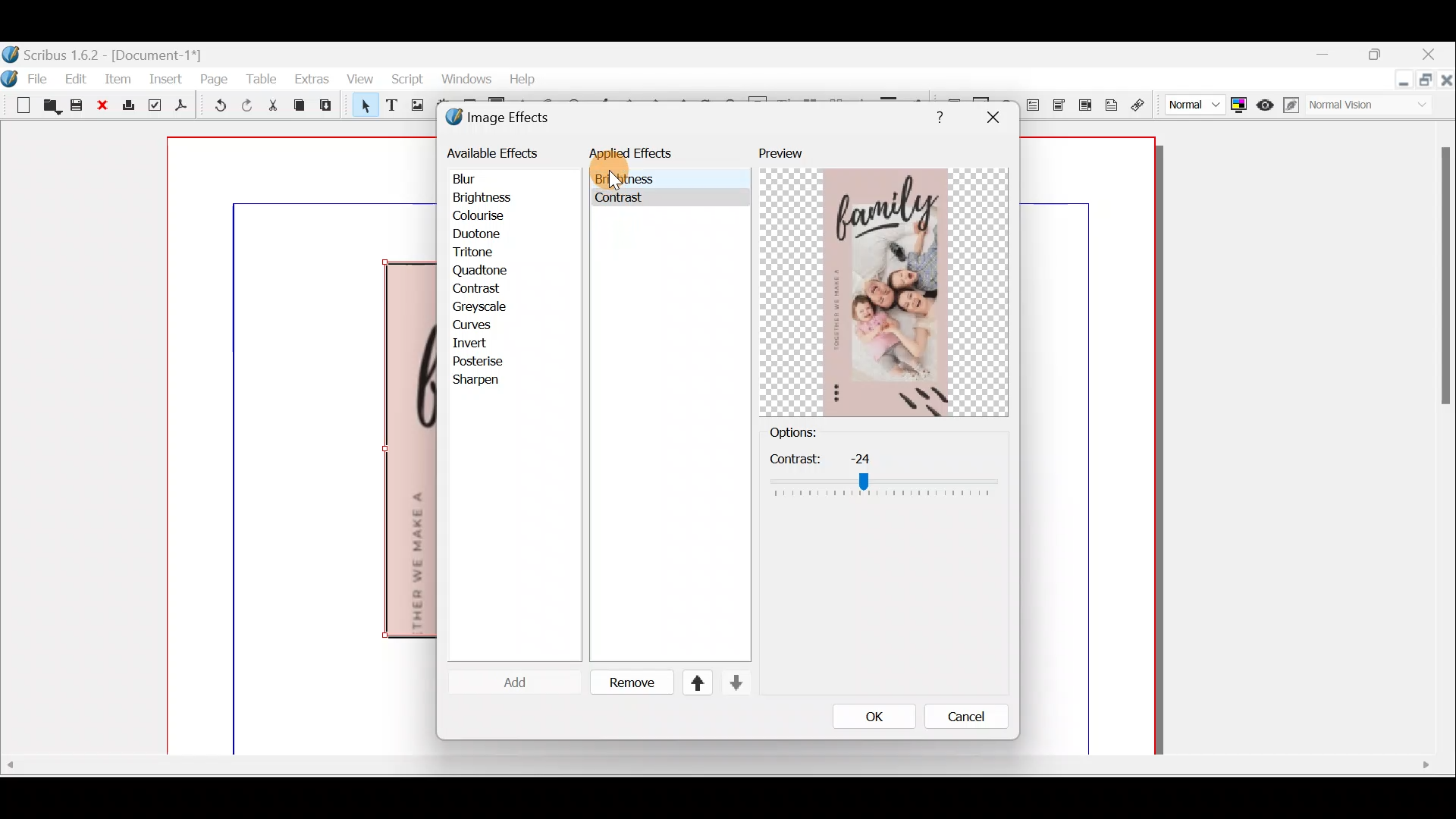 The width and height of the screenshot is (1456, 819). I want to click on Applied effects, so click(643, 157).